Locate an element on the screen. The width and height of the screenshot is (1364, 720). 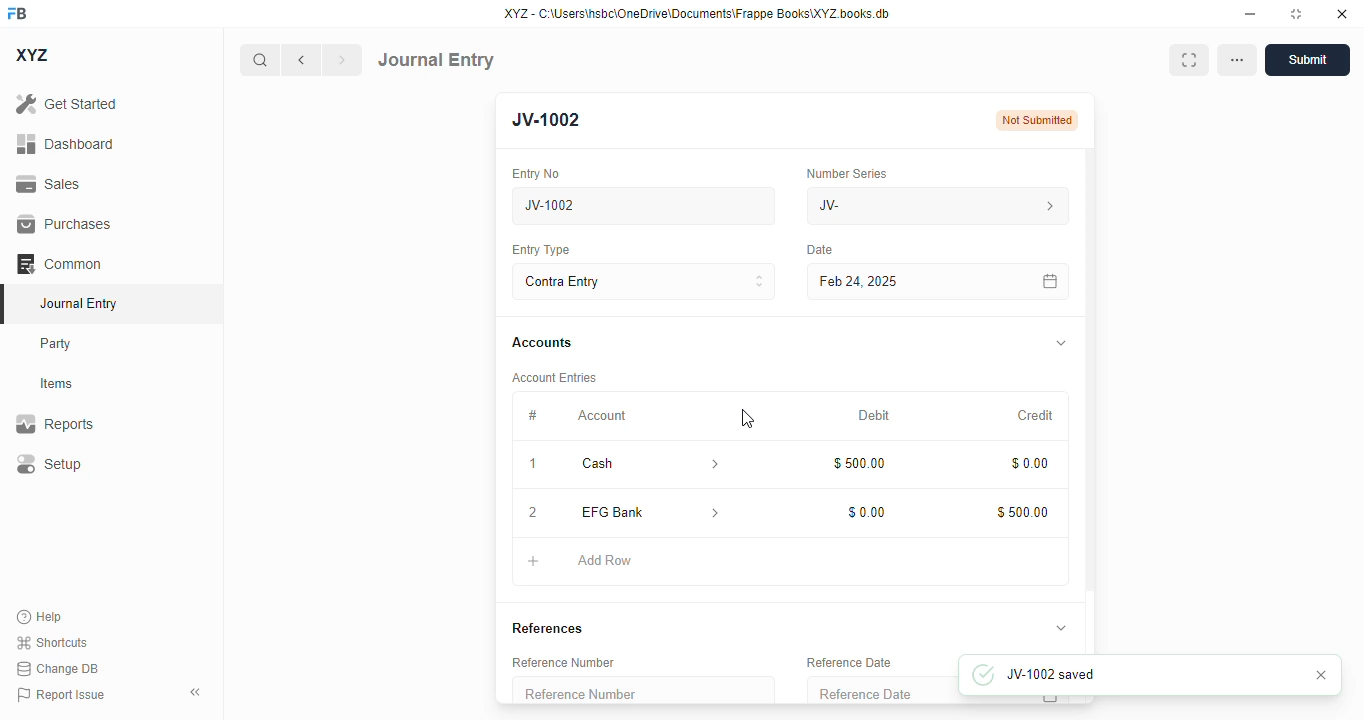
cash  is located at coordinates (626, 464).